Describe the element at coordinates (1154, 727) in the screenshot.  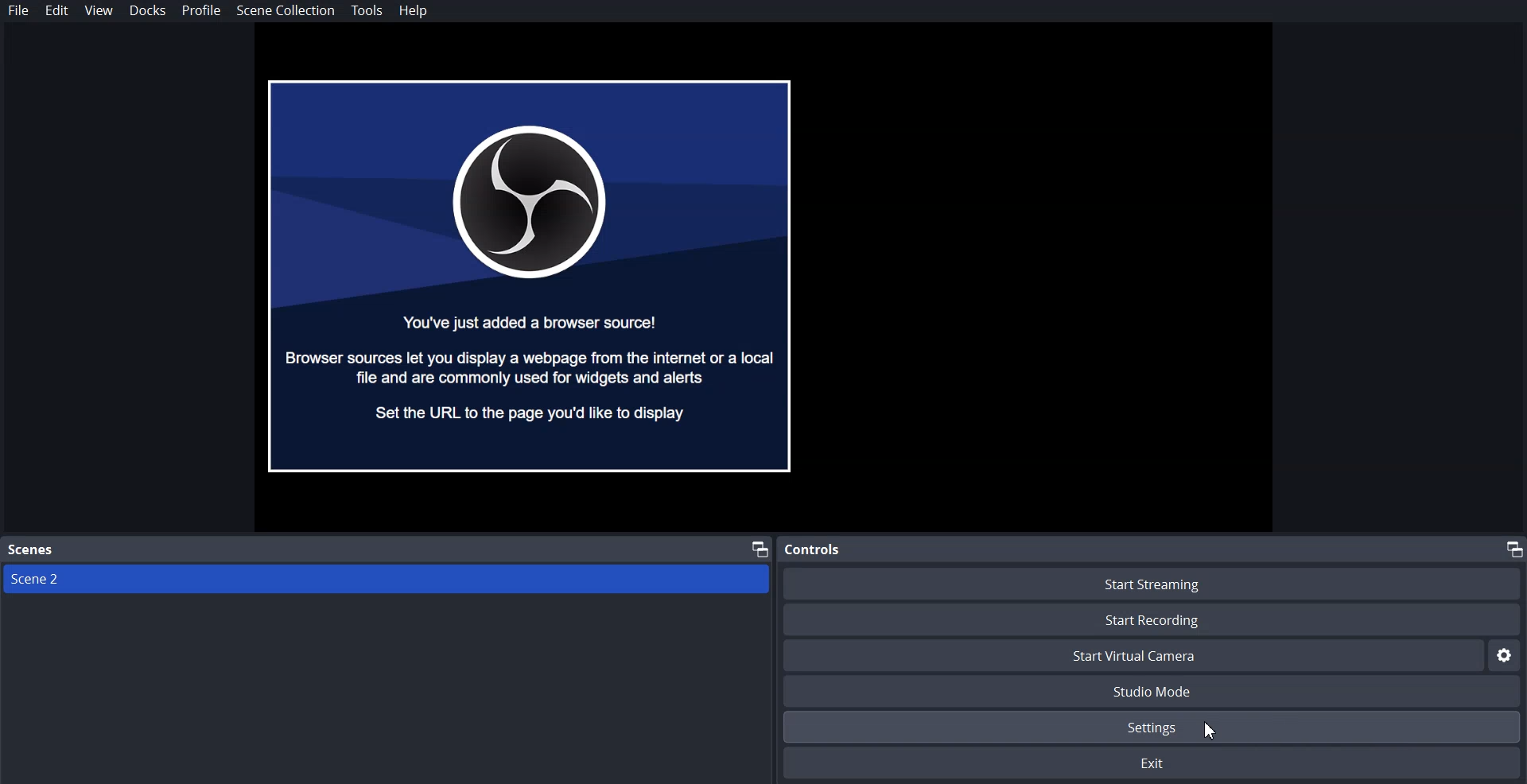
I see `Settings` at that location.